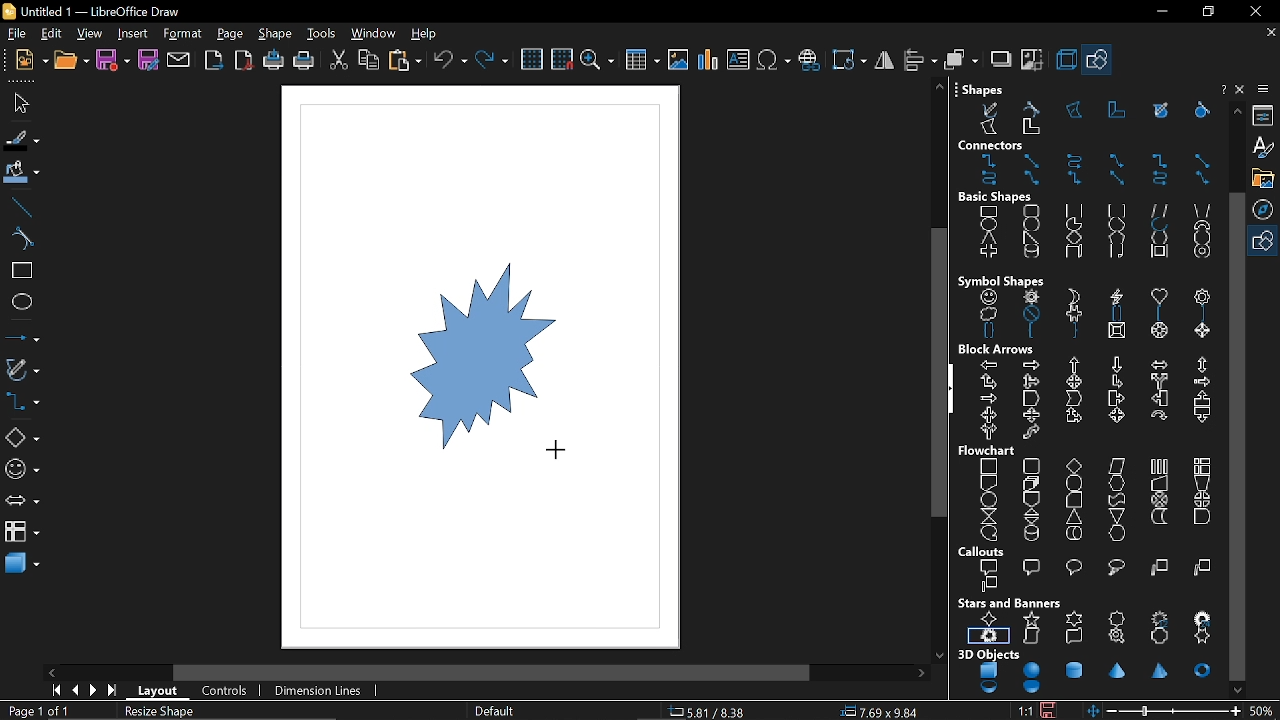 The height and width of the screenshot is (720, 1280). Describe the element at coordinates (1086, 226) in the screenshot. I see `Basic shapes` at that location.